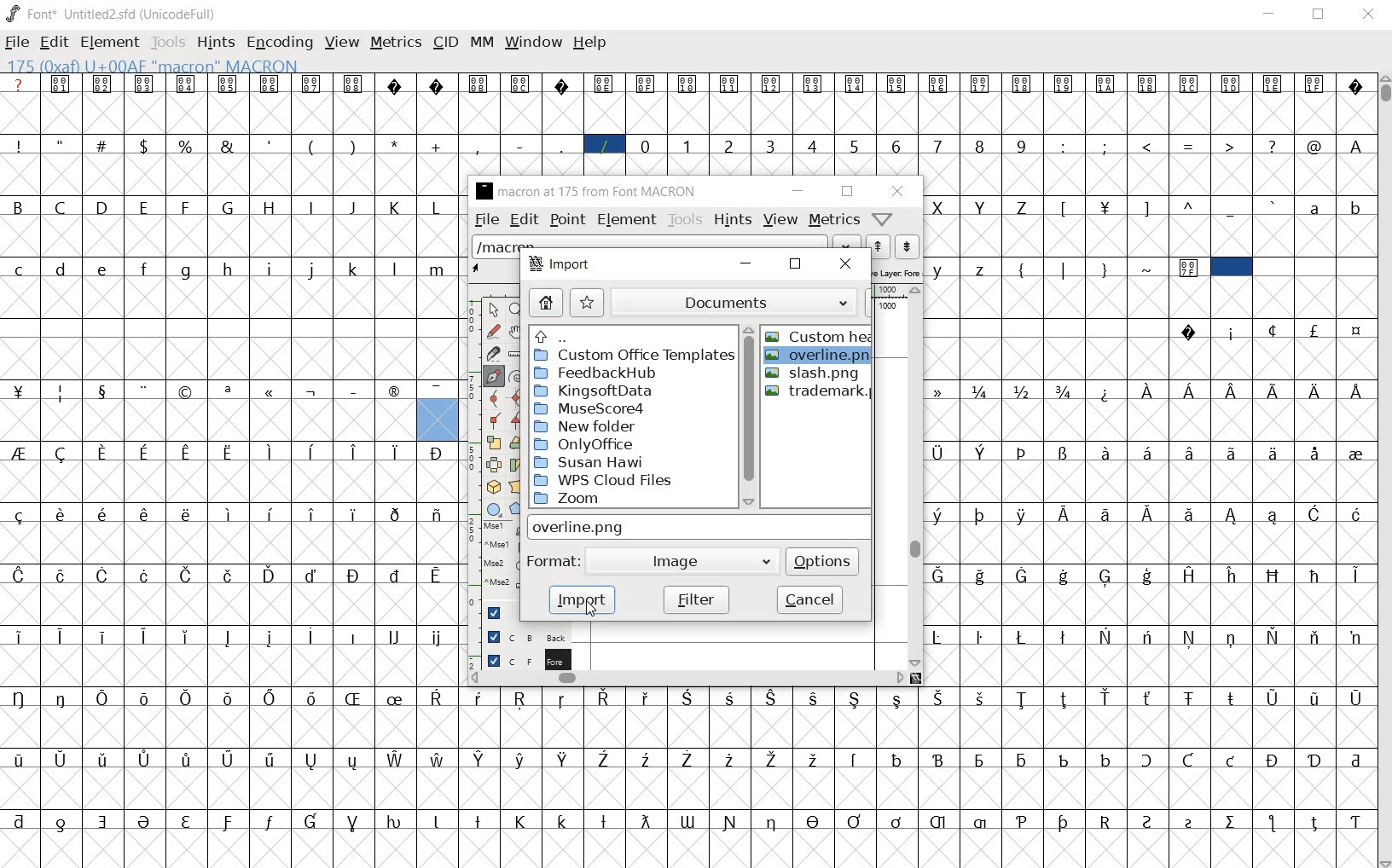 Image resolution: width=1392 pixels, height=868 pixels. I want to click on Symbol, so click(1273, 759).